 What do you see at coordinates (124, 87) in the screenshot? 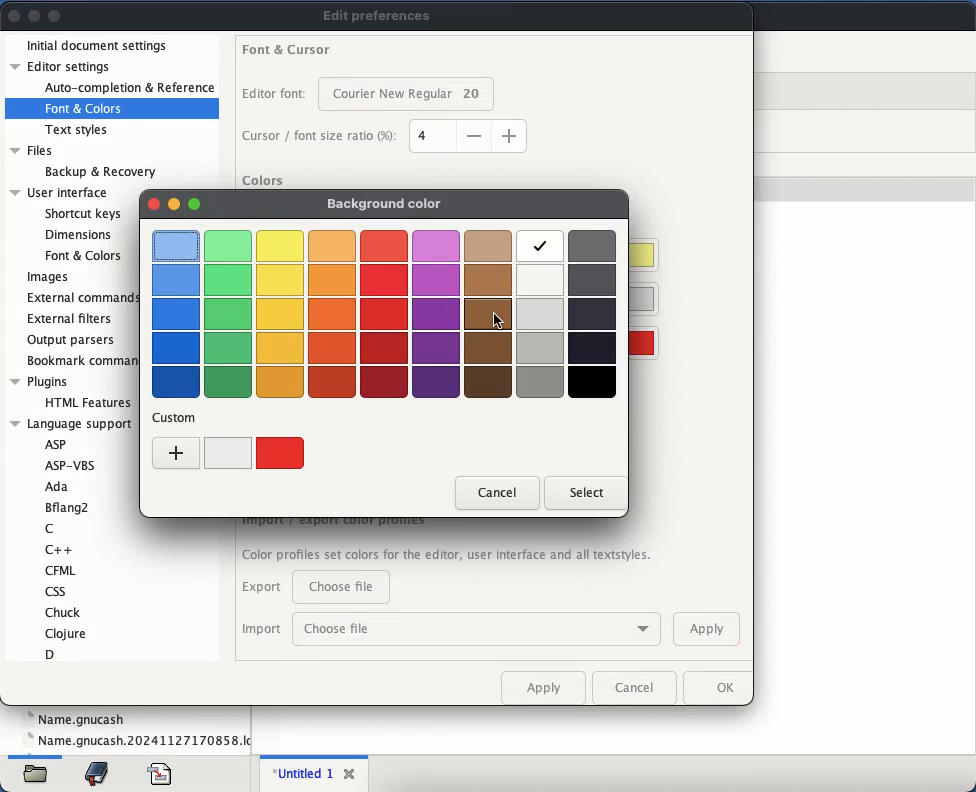
I see `auto-completion and reference` at bounding box center [124, 87].